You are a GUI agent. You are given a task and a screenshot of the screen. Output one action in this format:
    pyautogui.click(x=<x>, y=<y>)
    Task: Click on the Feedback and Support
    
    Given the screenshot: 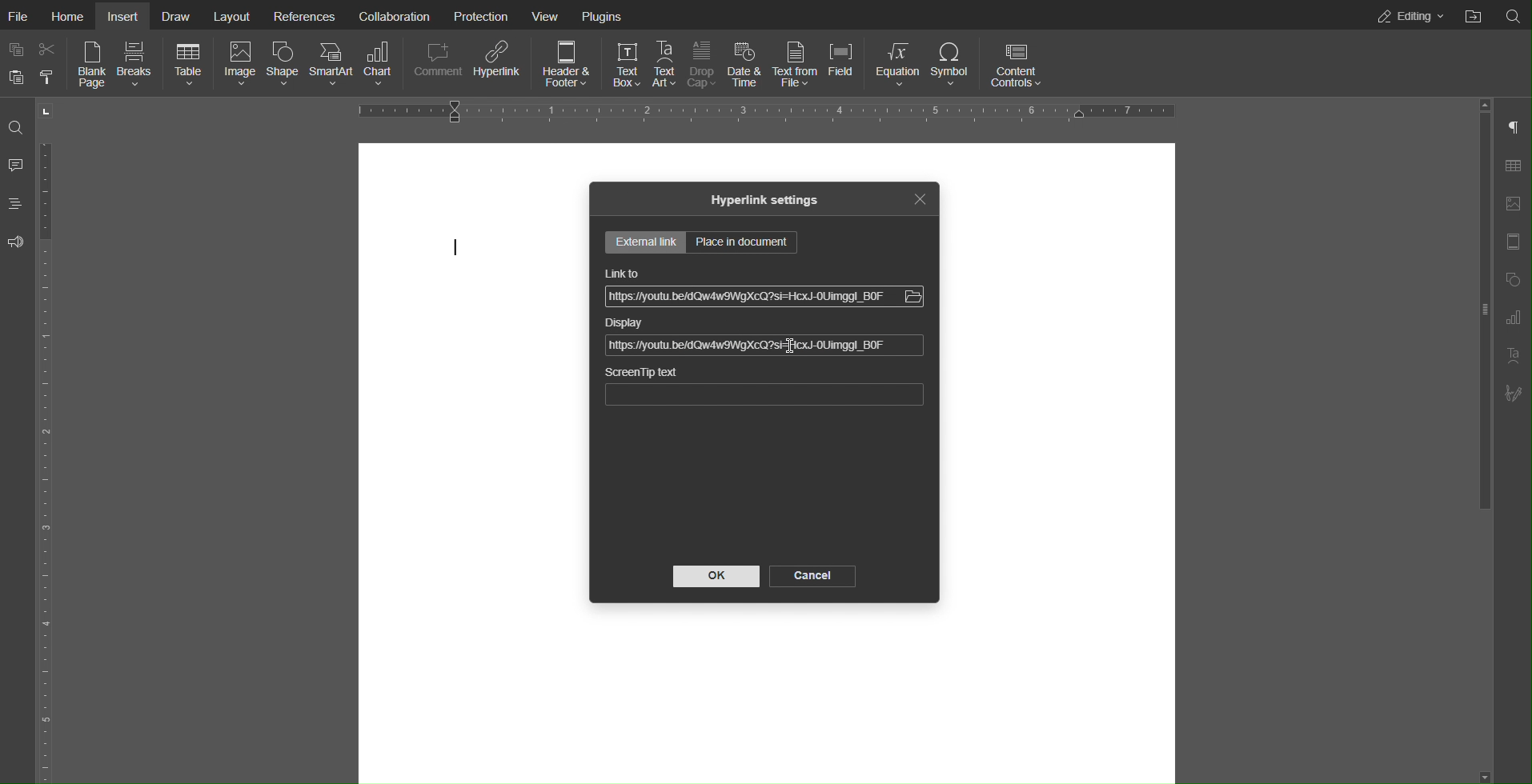 What is the action you would take?
    pyautogui.click(x=16, y=243)
    